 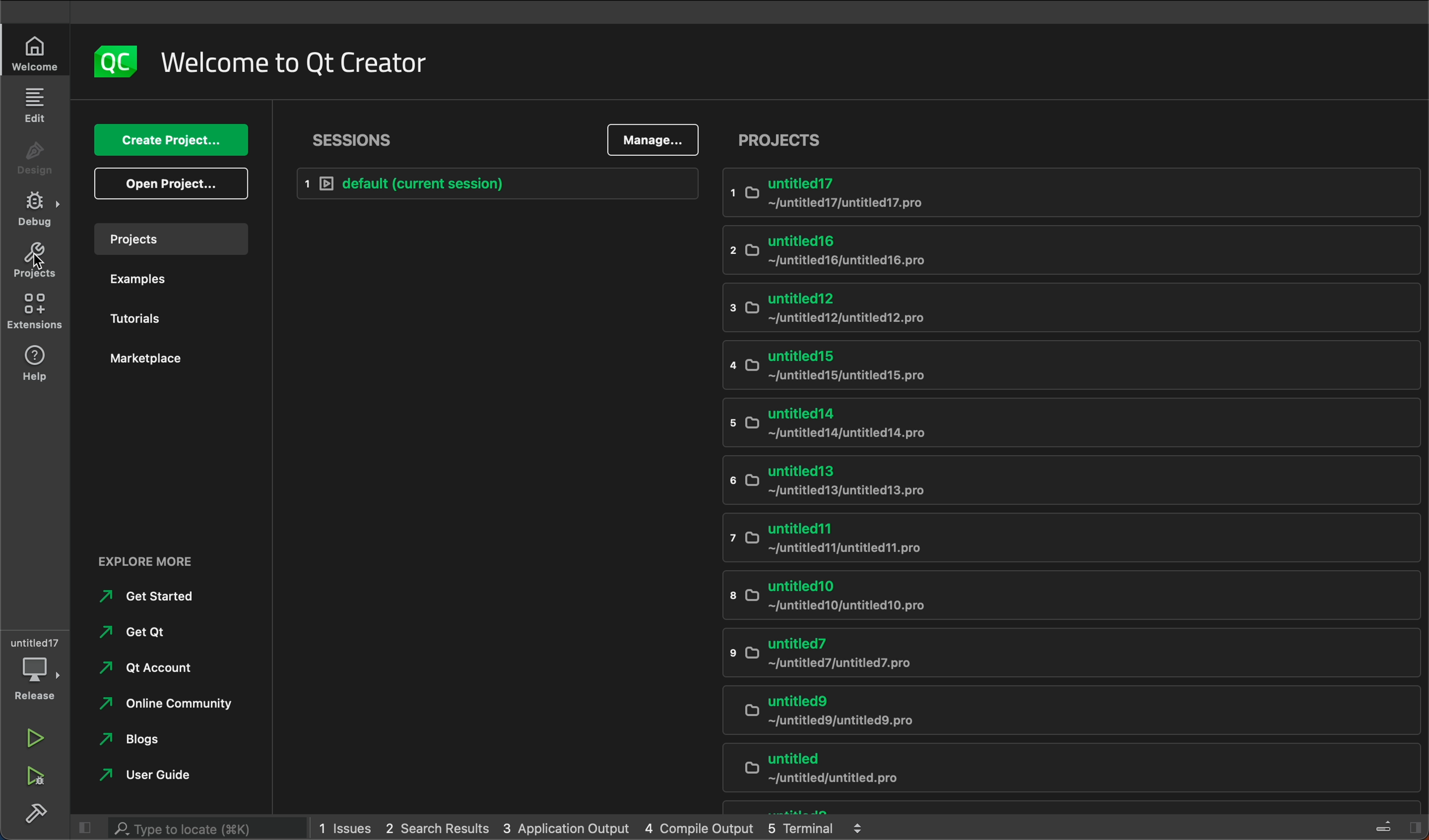 What do you see at coordinates (172, 239) in the screenshot?
I see `projects` at bounding box center [172, 239].